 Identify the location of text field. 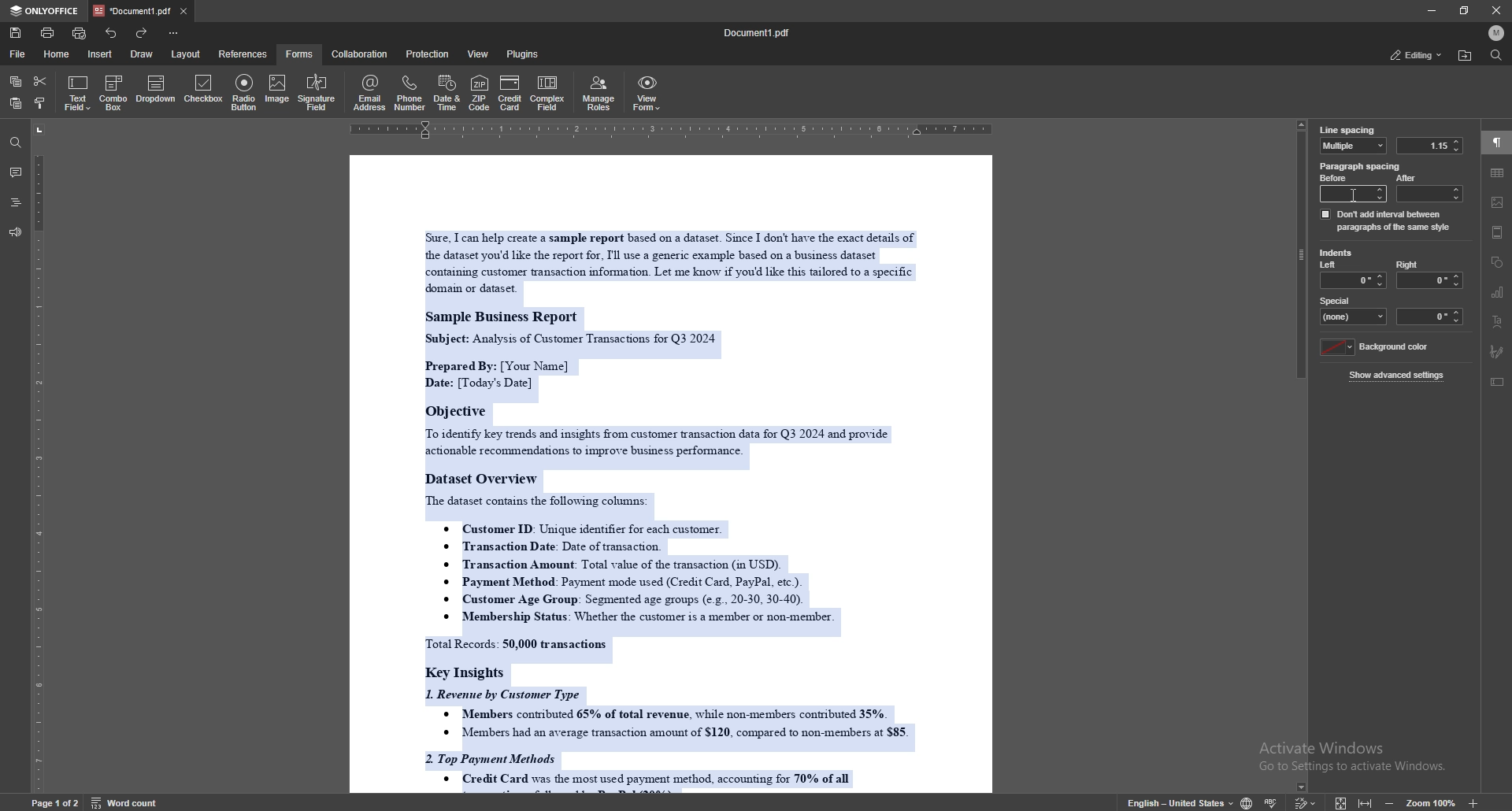
(78, 93).